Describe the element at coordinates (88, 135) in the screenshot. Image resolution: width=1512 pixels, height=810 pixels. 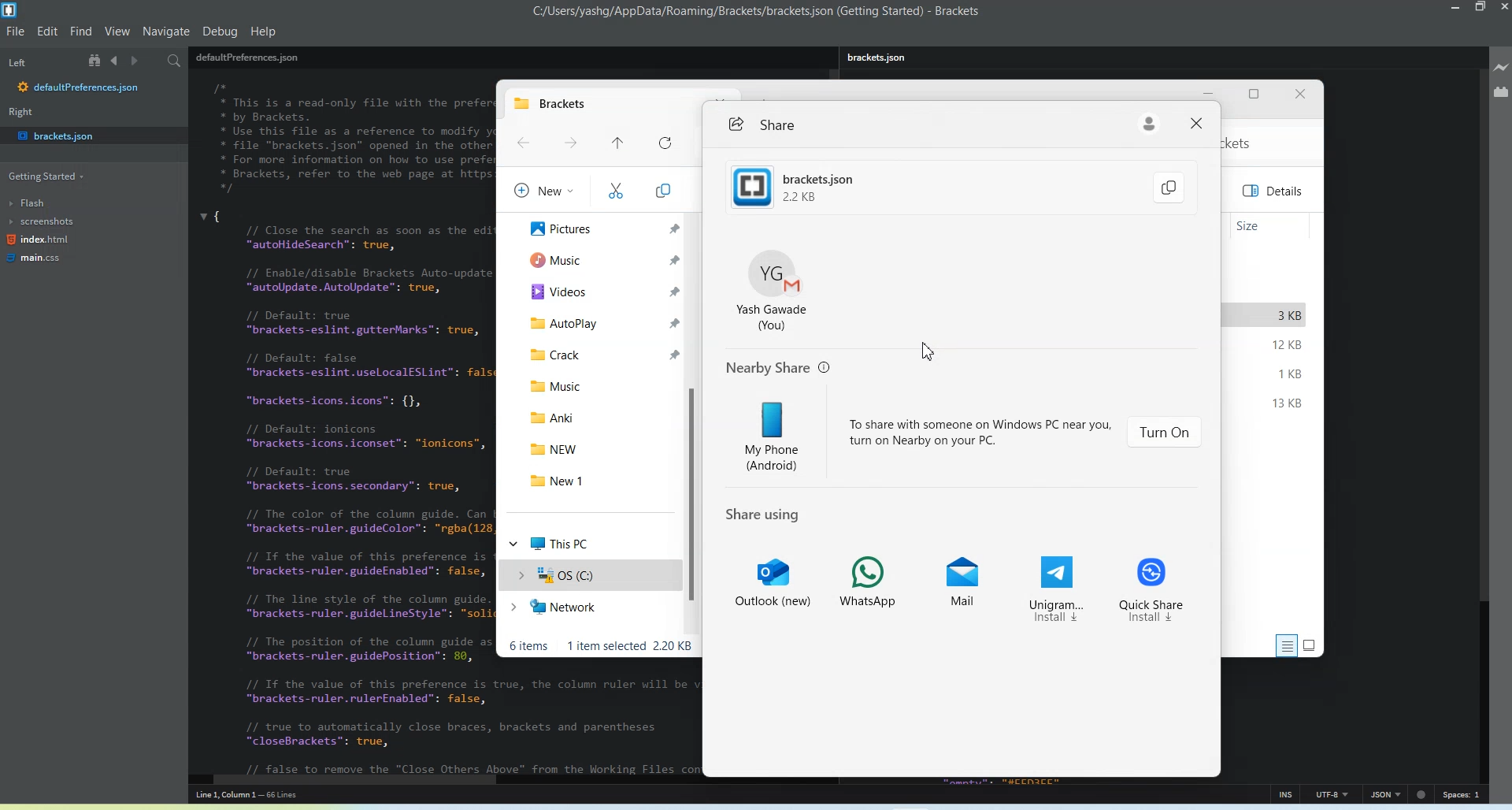
I see `bracket.json` at that location.